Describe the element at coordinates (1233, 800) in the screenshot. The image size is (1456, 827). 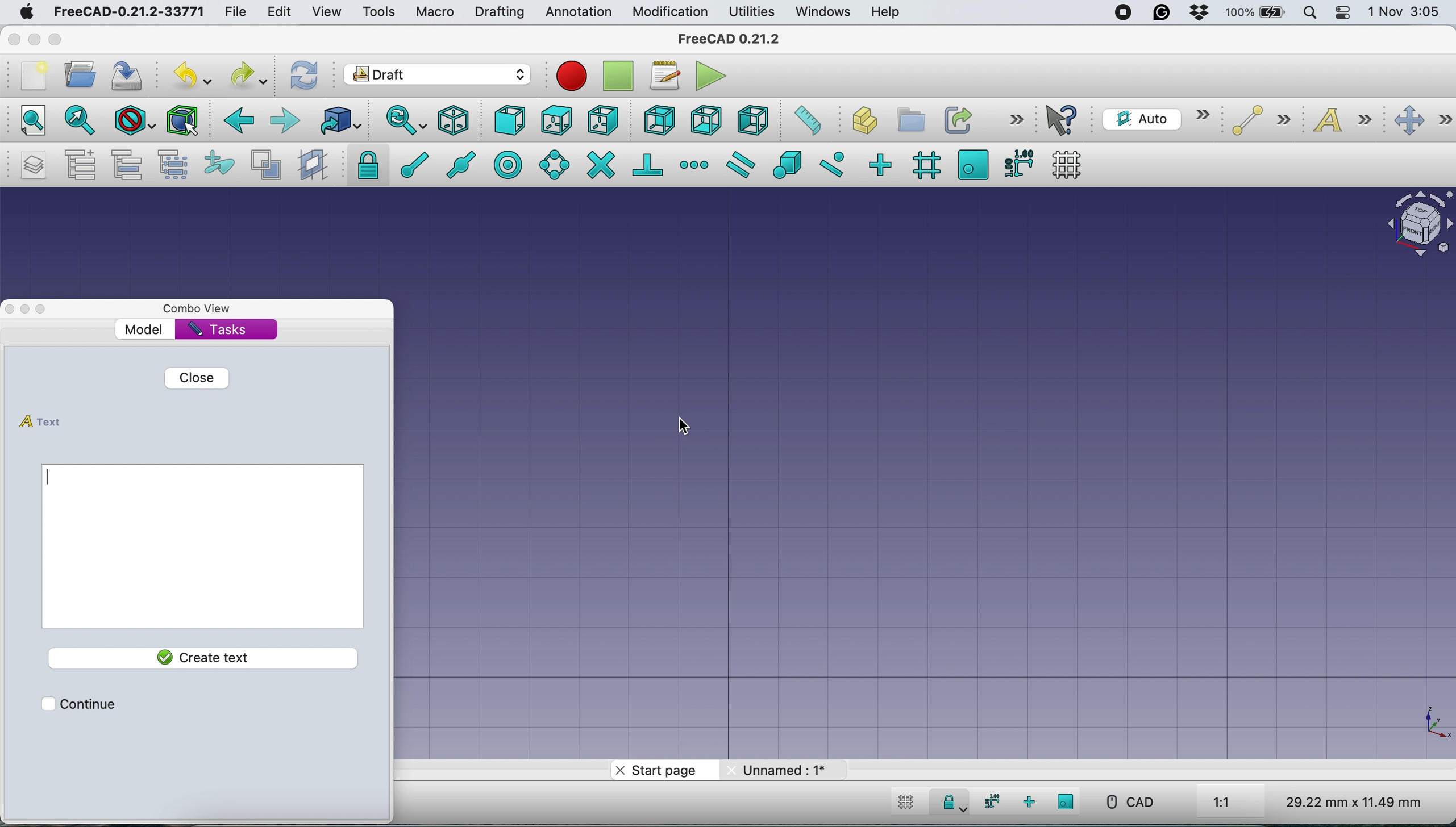
I see `aspect ratio` at that location.